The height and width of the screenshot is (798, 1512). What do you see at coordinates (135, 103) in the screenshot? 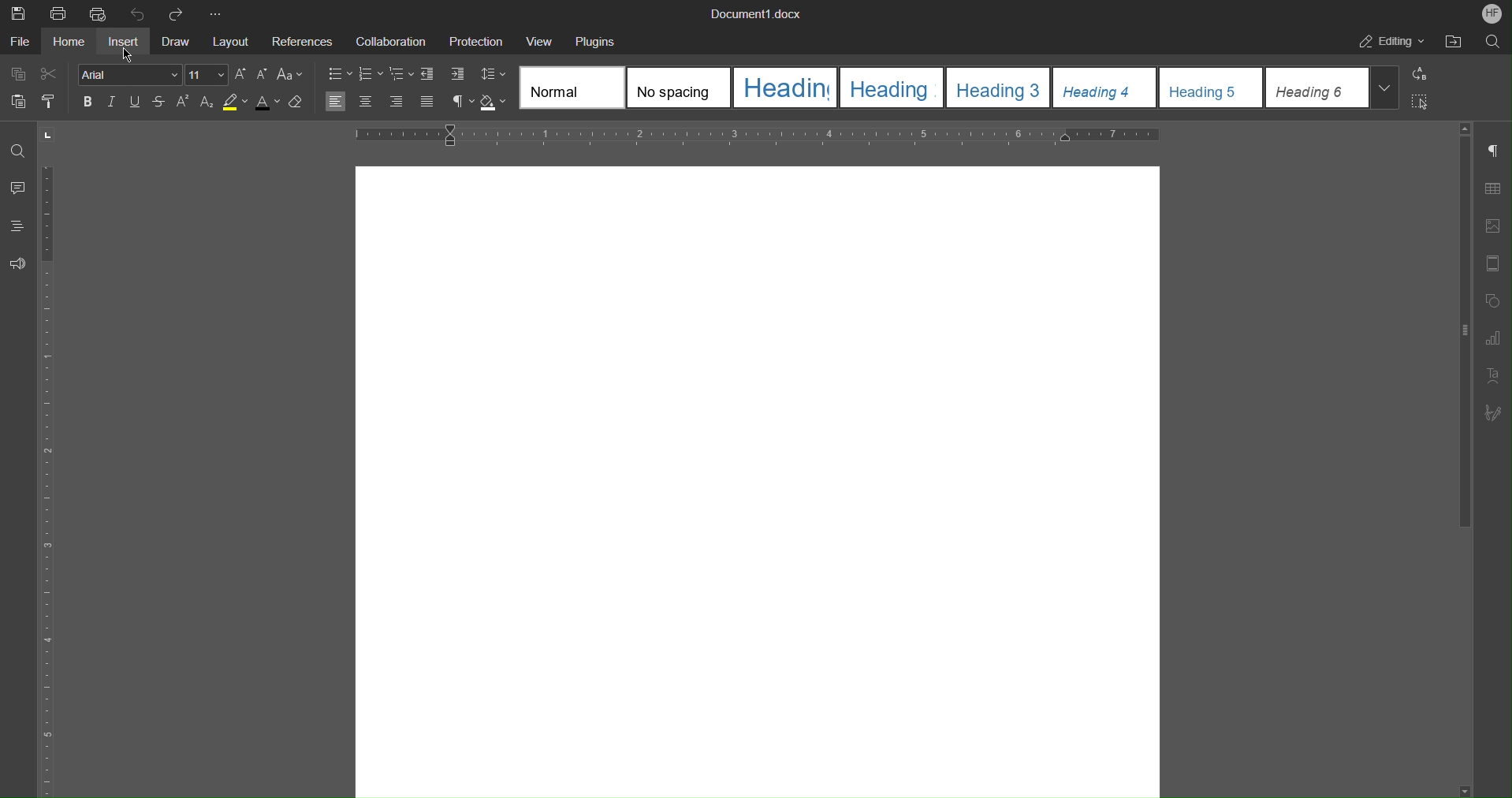
I see `Underline` at bounding box center [135, 103].